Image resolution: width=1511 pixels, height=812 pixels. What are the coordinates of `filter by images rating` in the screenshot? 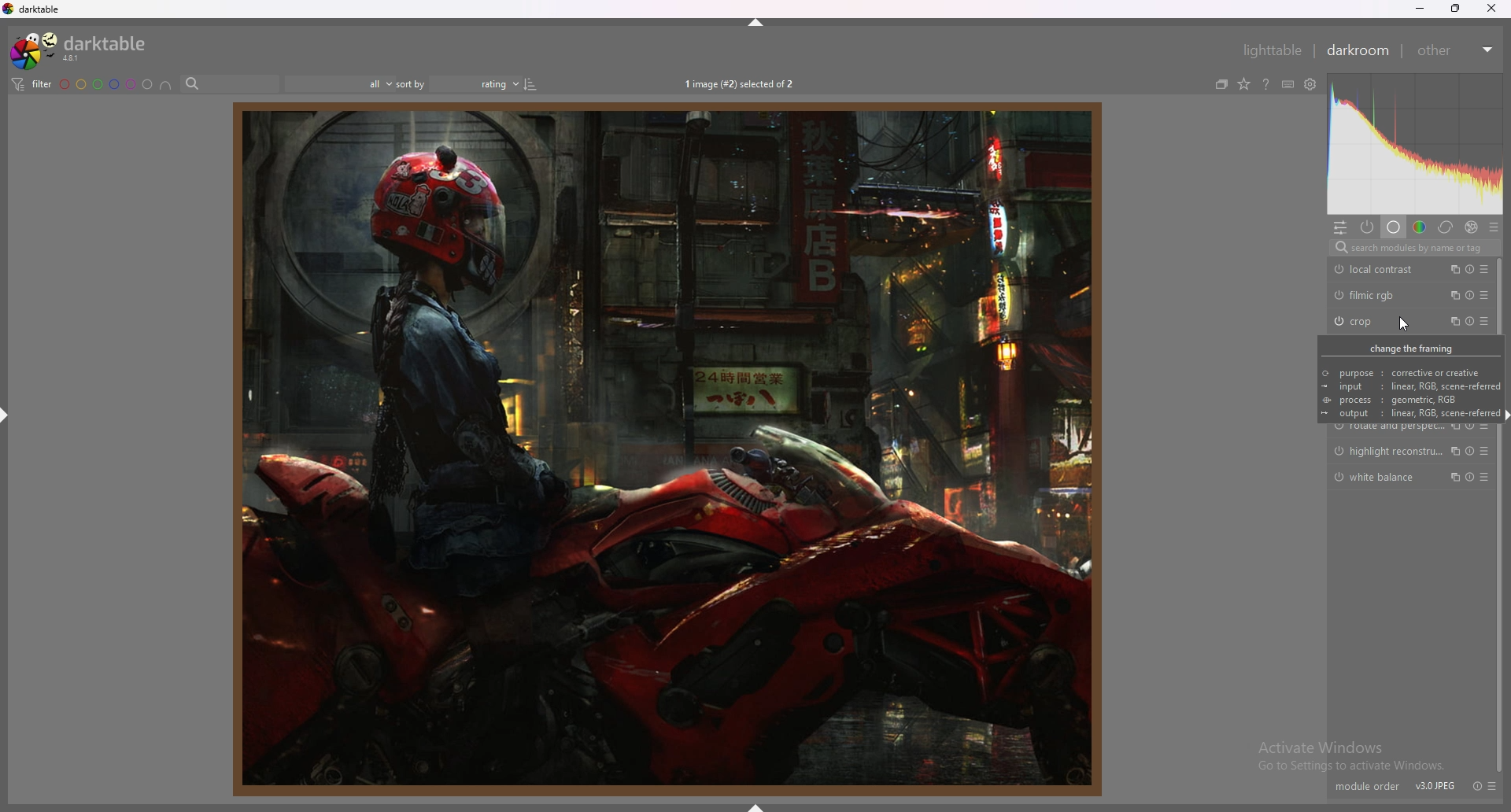 It's located at (339, 83).